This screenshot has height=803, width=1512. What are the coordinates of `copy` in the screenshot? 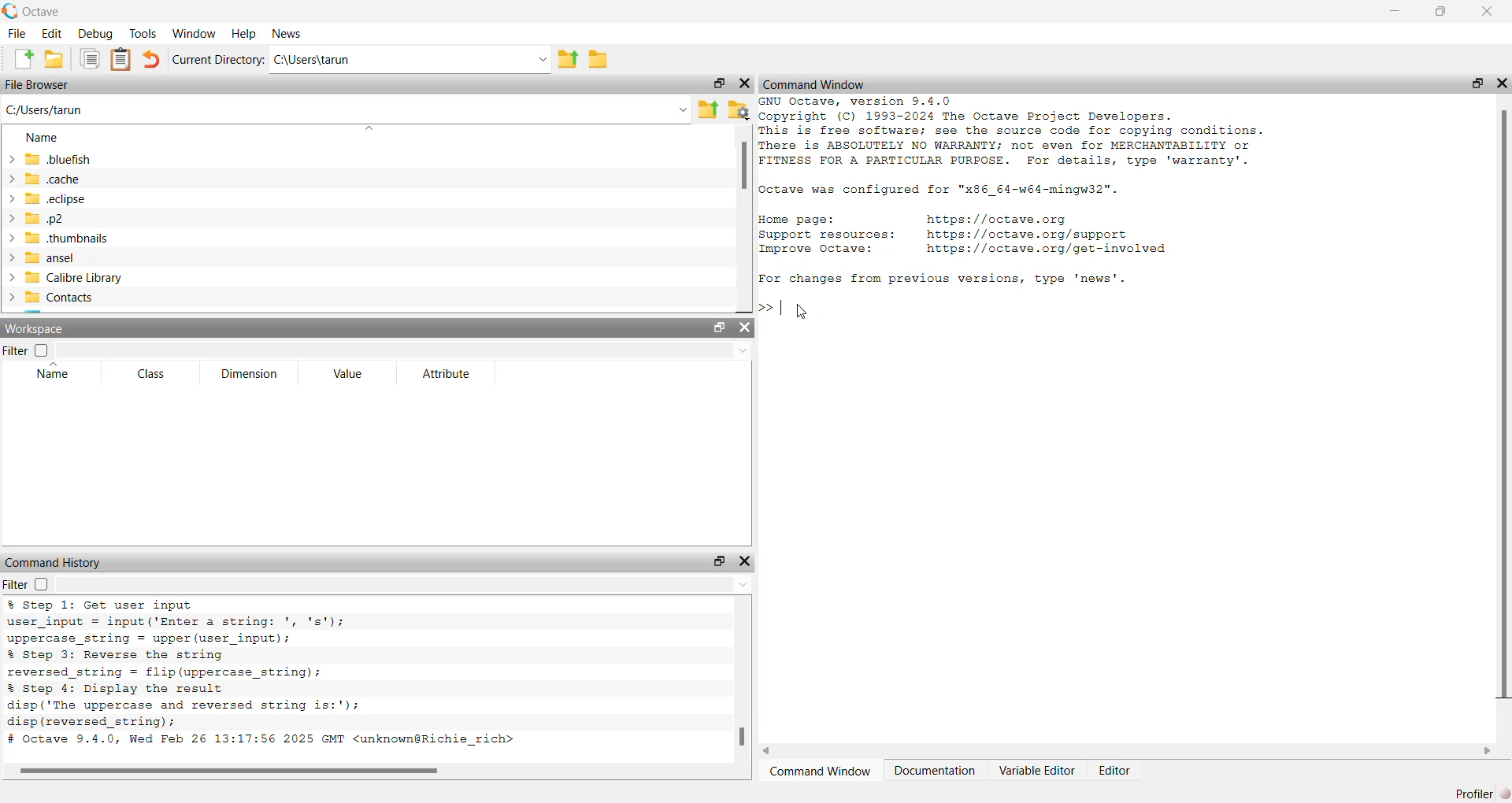 It's located at (90, 60).